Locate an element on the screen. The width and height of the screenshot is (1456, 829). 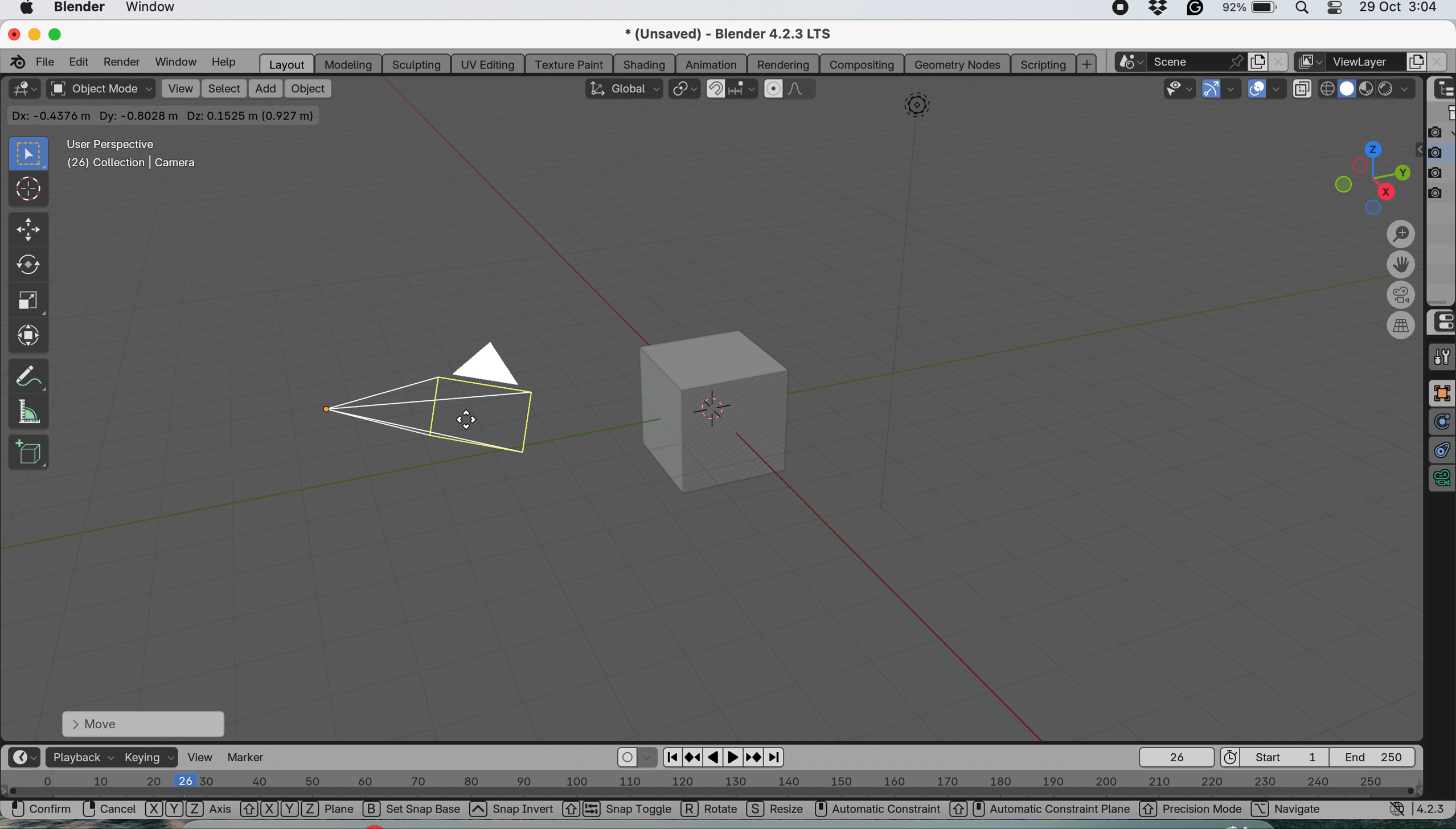
constraint is located at coordinates (1441, 451).